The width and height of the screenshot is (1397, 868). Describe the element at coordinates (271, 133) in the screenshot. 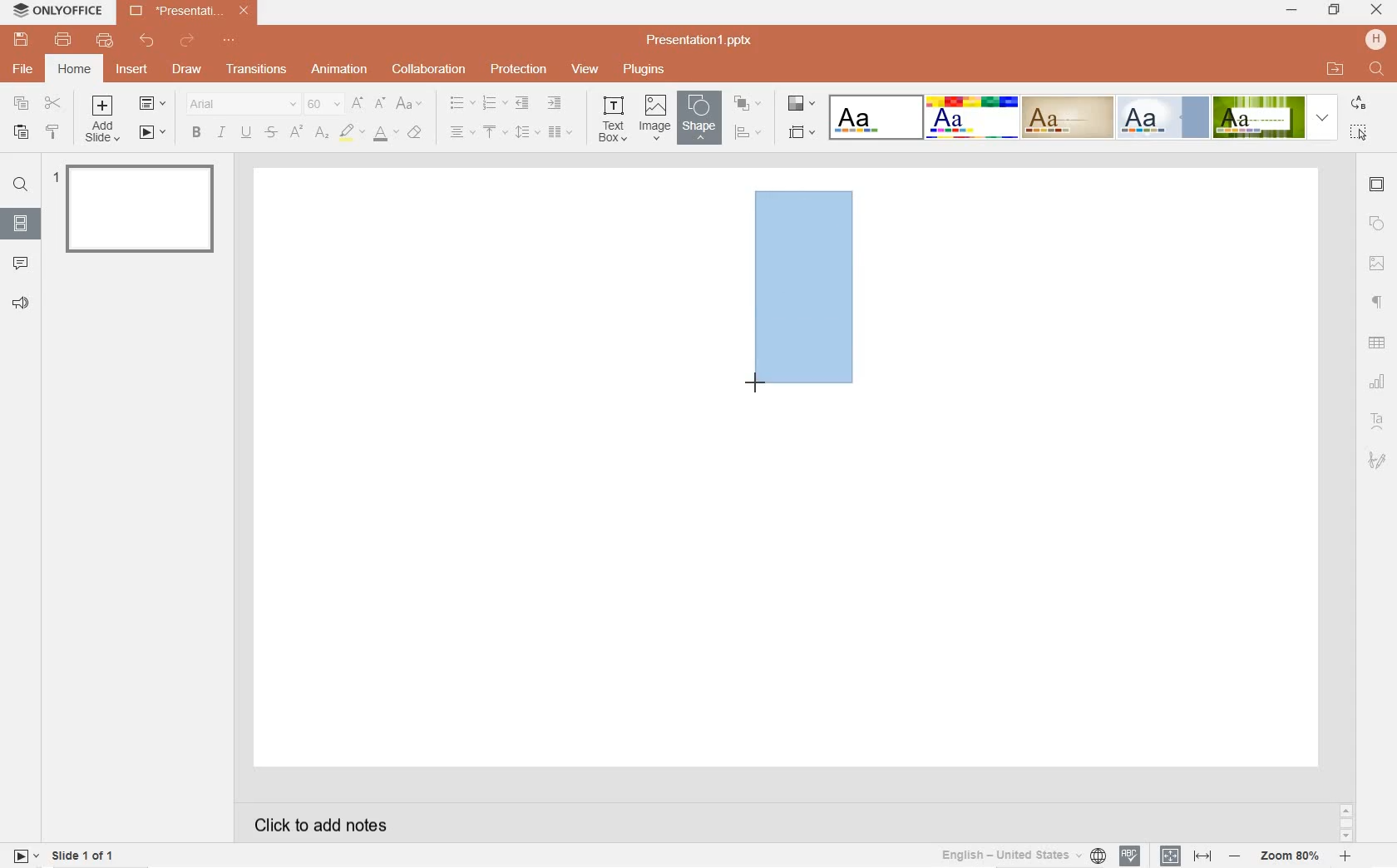

I see `strikethrough` at that location.